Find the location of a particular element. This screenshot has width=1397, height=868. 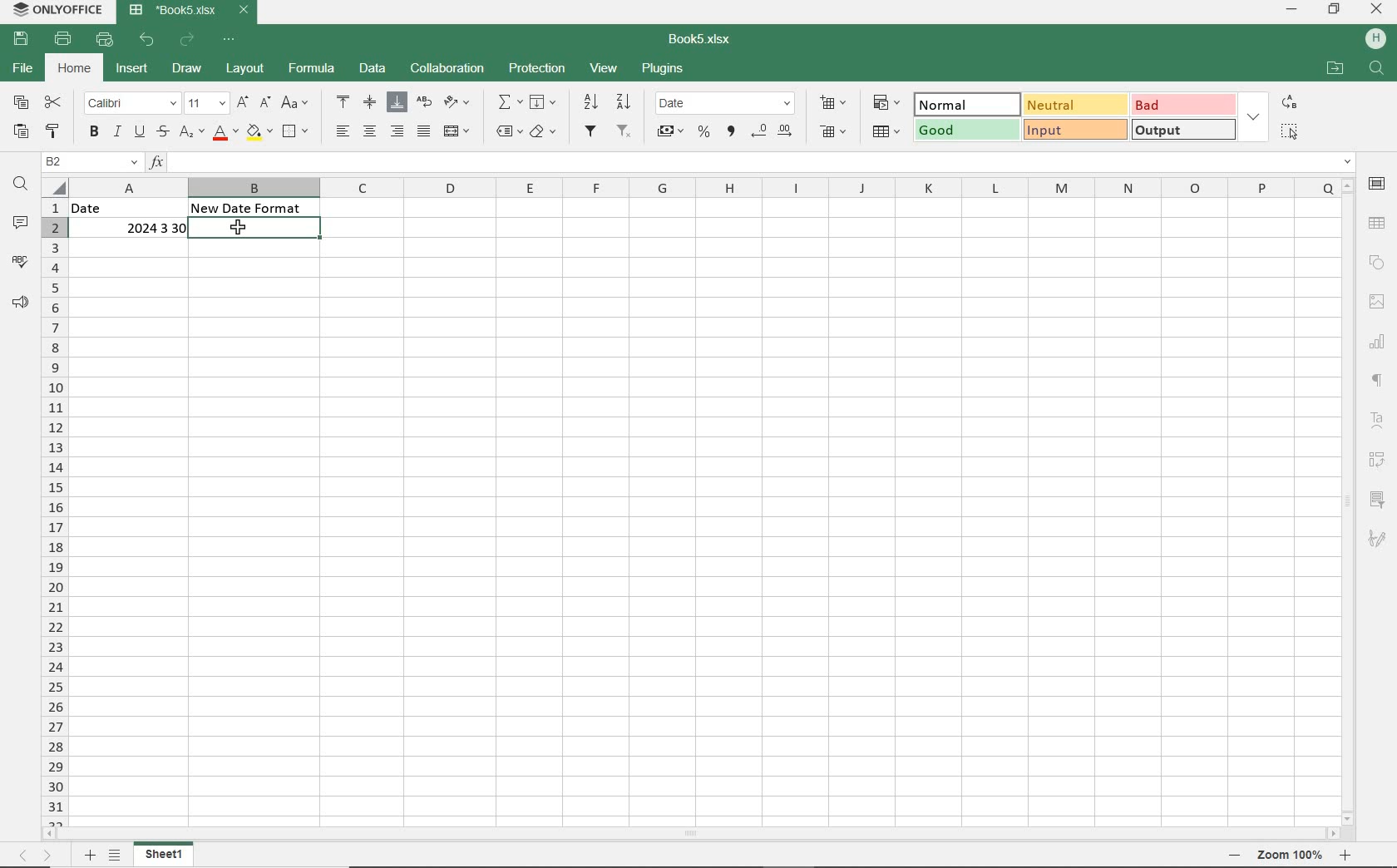

STRIKETHROUGH is located at coordinates (163, 133).